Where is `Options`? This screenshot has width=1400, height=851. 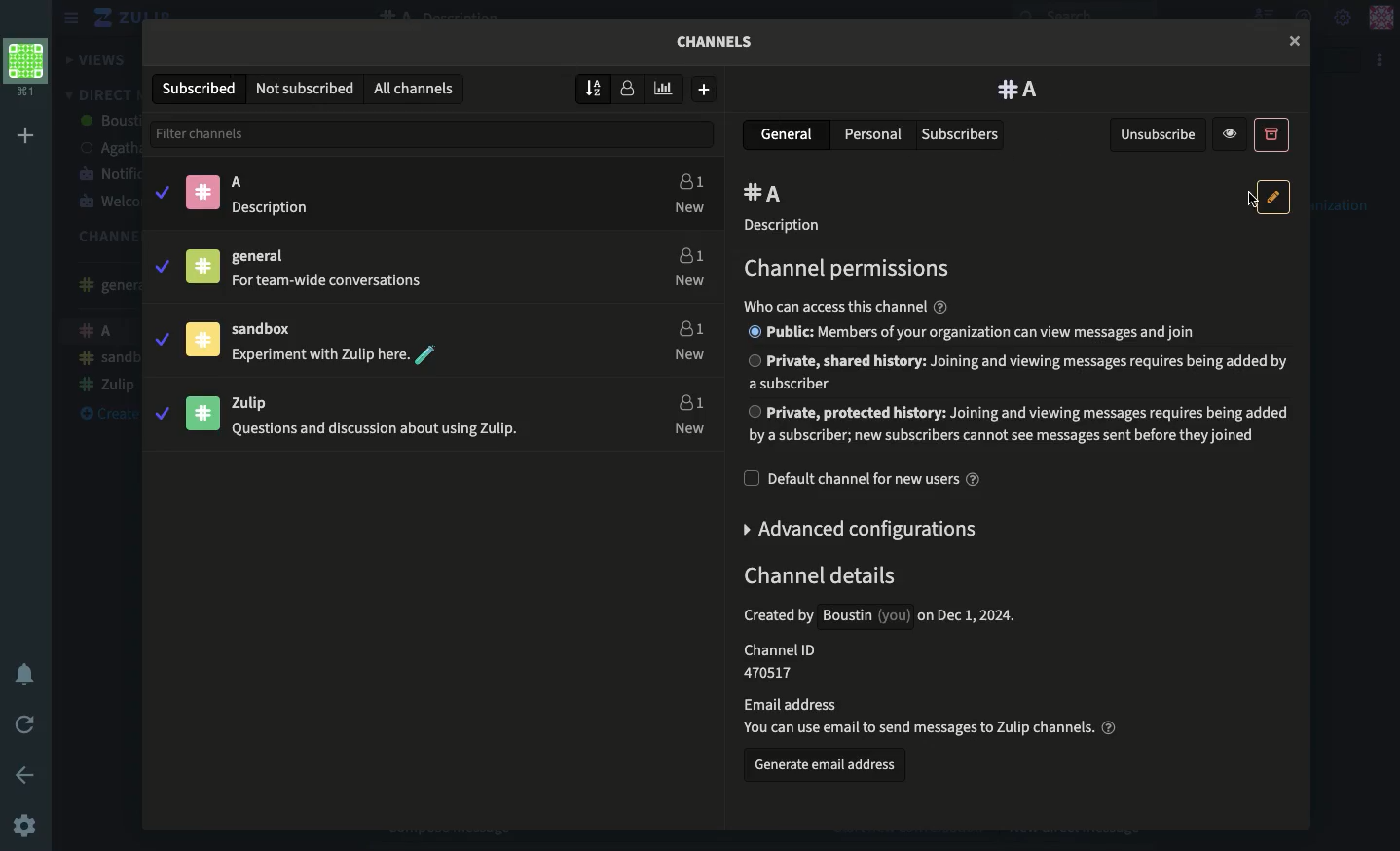
Options is located at coordinates (1381, 60).